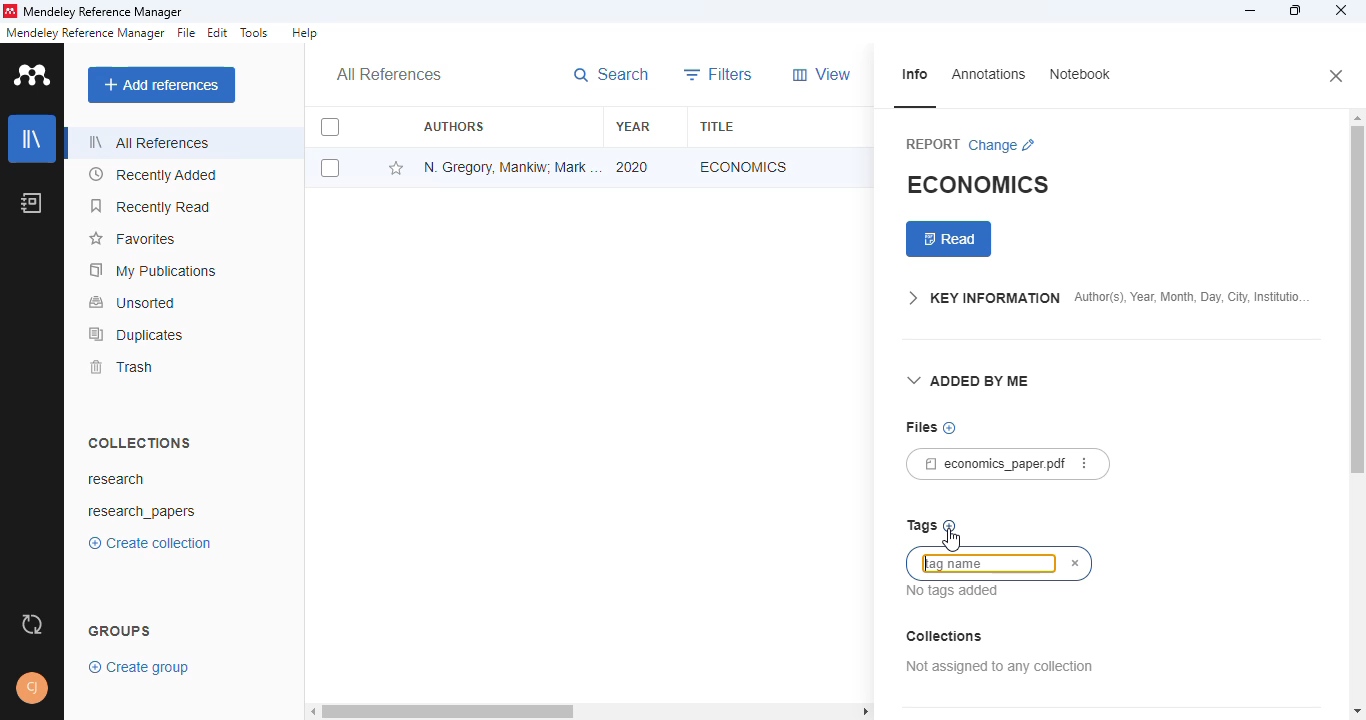 This screenshot has width=1366, height=720. What do you see at coordinates (989, 75) in the screenshot?
I see `annotations` at bounding box center [989, 75].